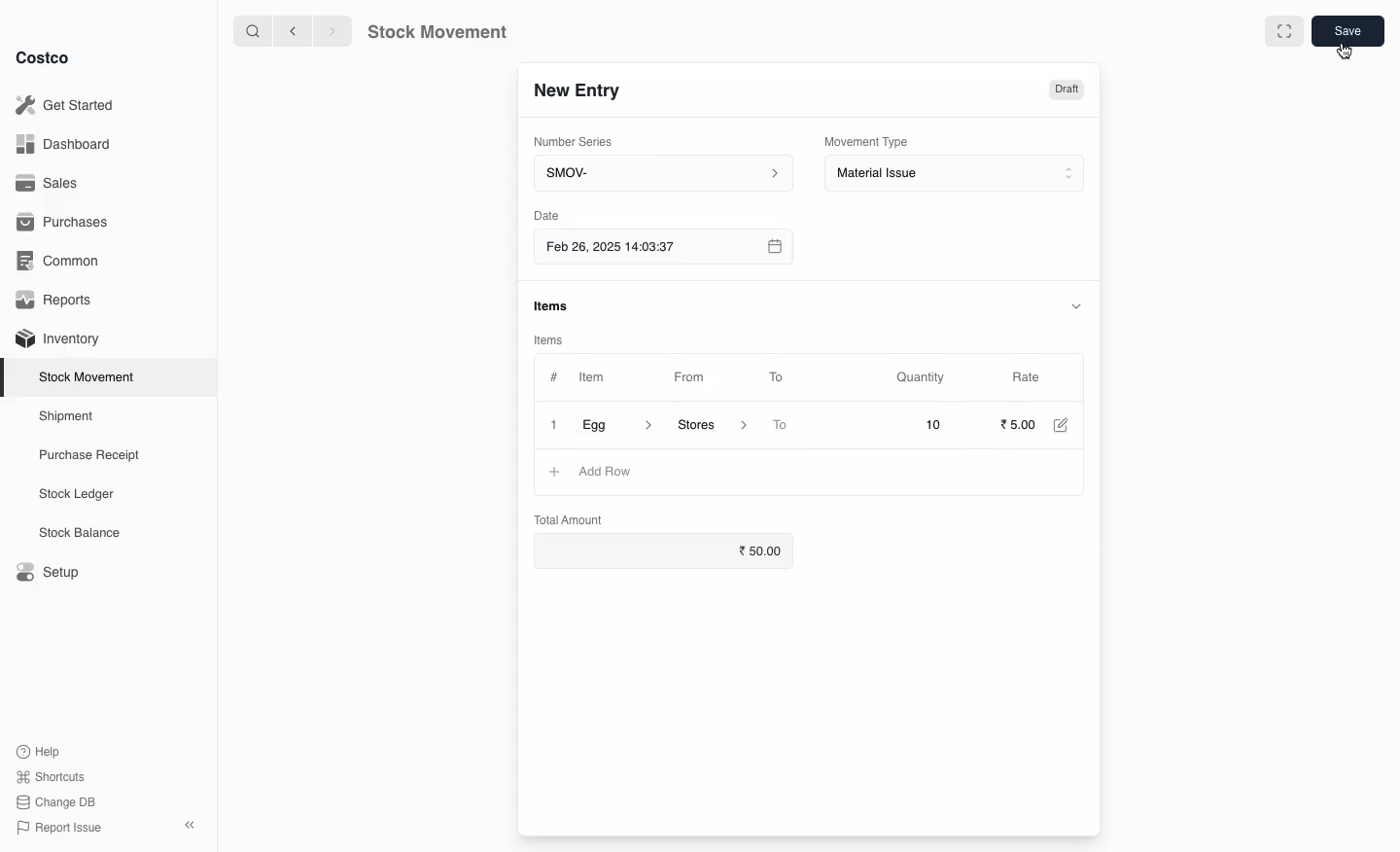 The height and width of the screenshot is (852, 1400). Describe the element at coordinates (65, 146) in the screenshot. I see `Dashboard` at that location.